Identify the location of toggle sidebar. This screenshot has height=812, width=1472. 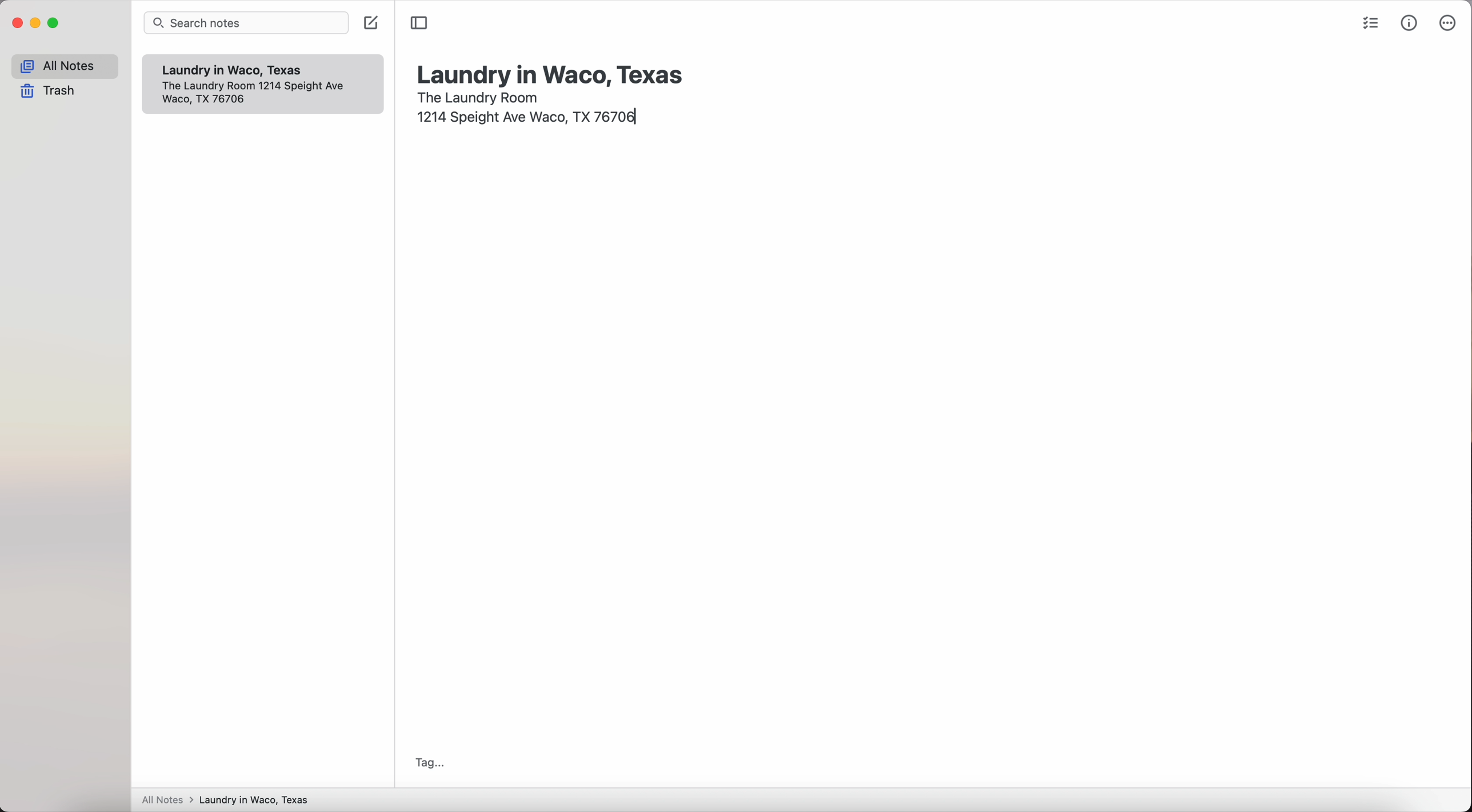
(419, 23).